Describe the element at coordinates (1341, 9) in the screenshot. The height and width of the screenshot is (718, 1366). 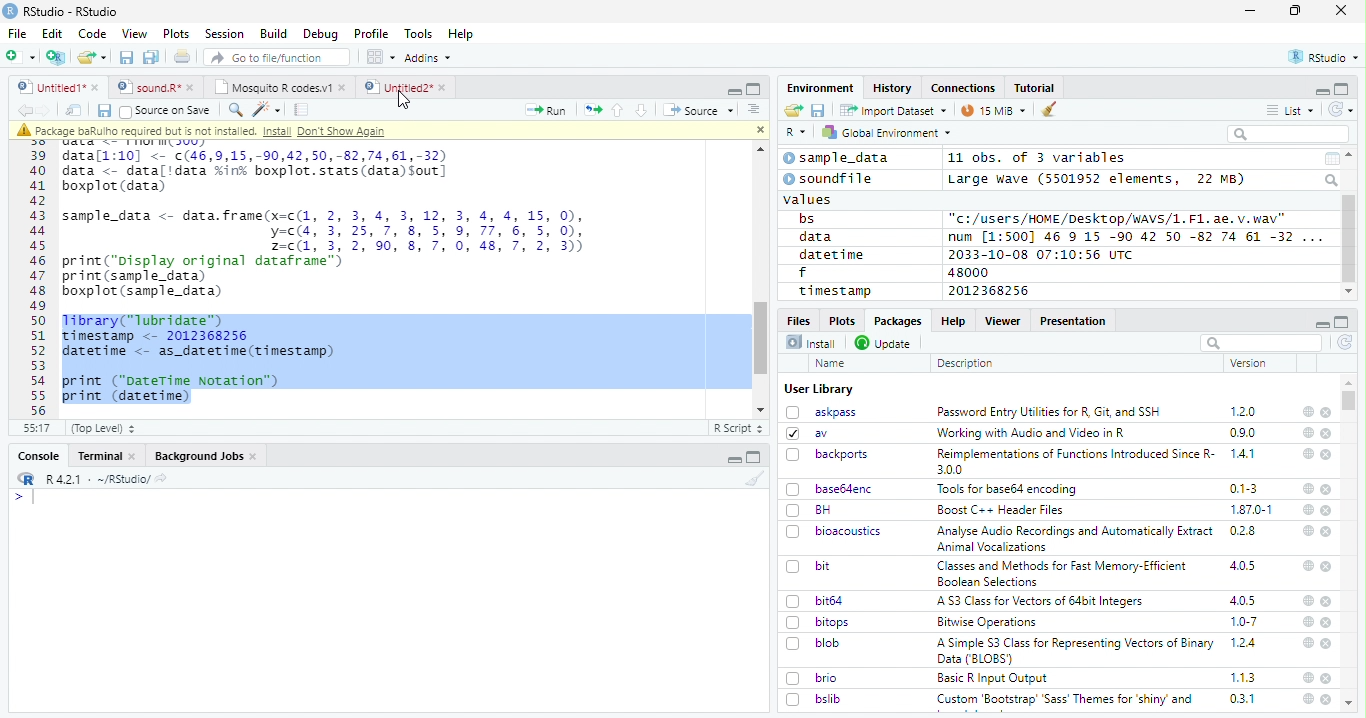
I see `close` at that location.